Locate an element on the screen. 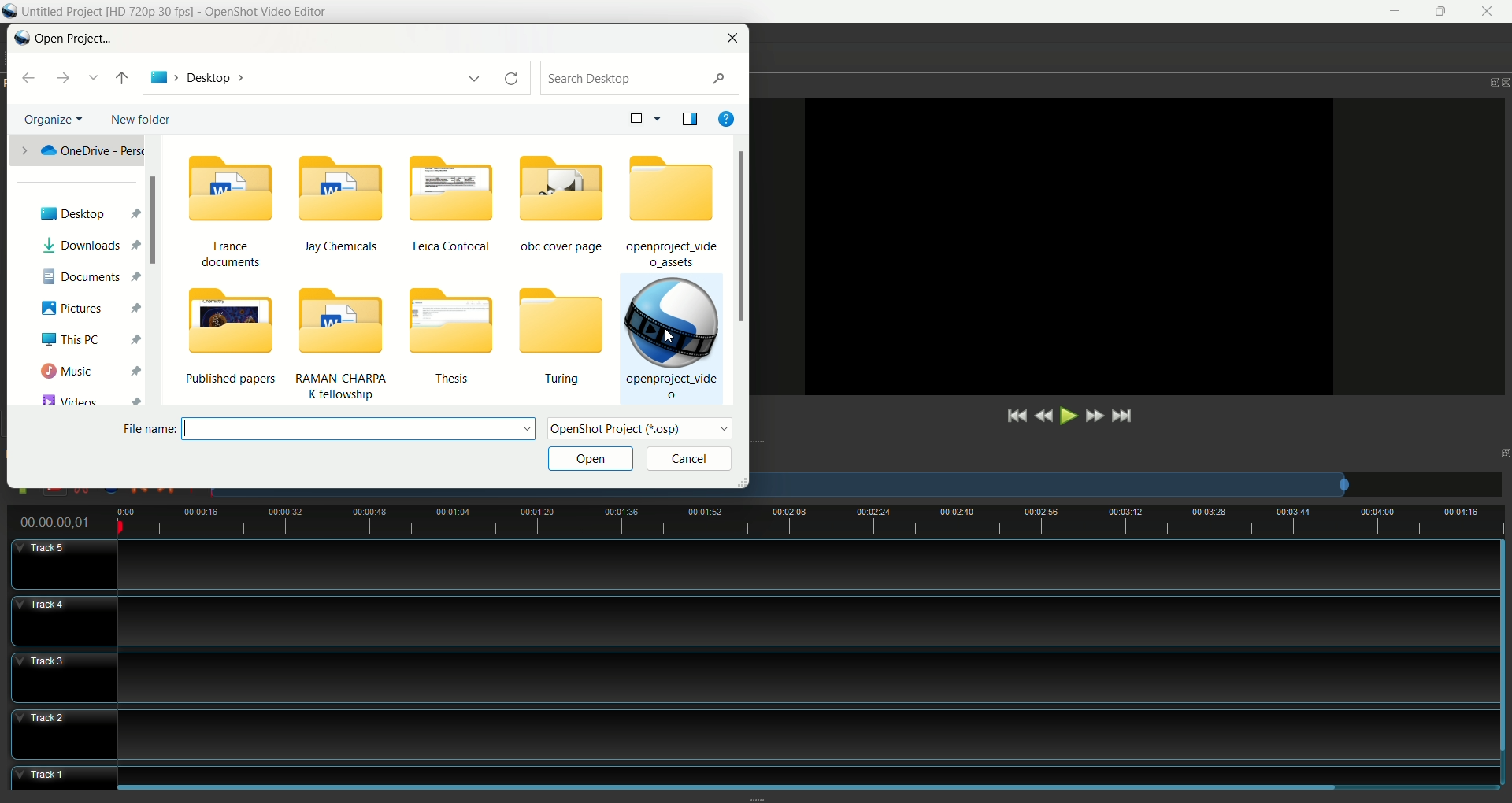 This screenshot has height=803, width=1512. videos is located at coordinates (86, 398).